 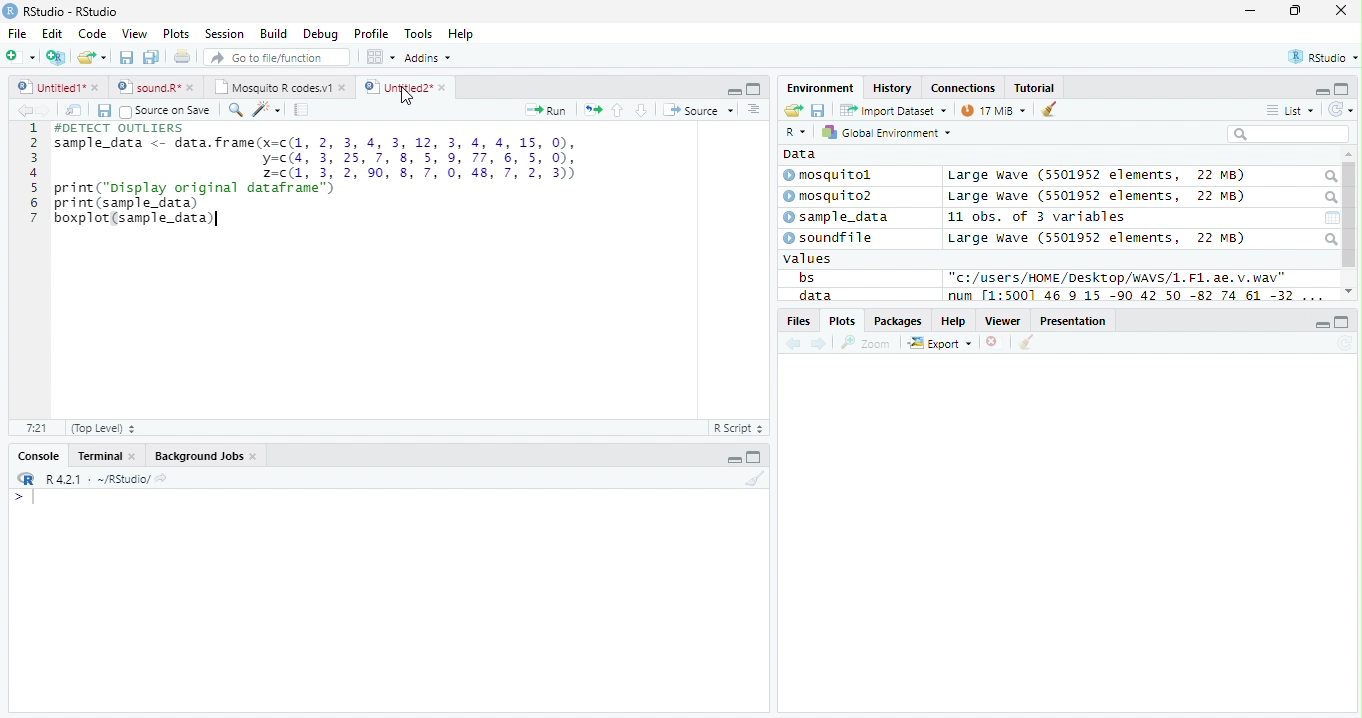 What do you see at coordinates (1329, 177) in the screenshot?
I see `search` at bounding box center [1329, 177].